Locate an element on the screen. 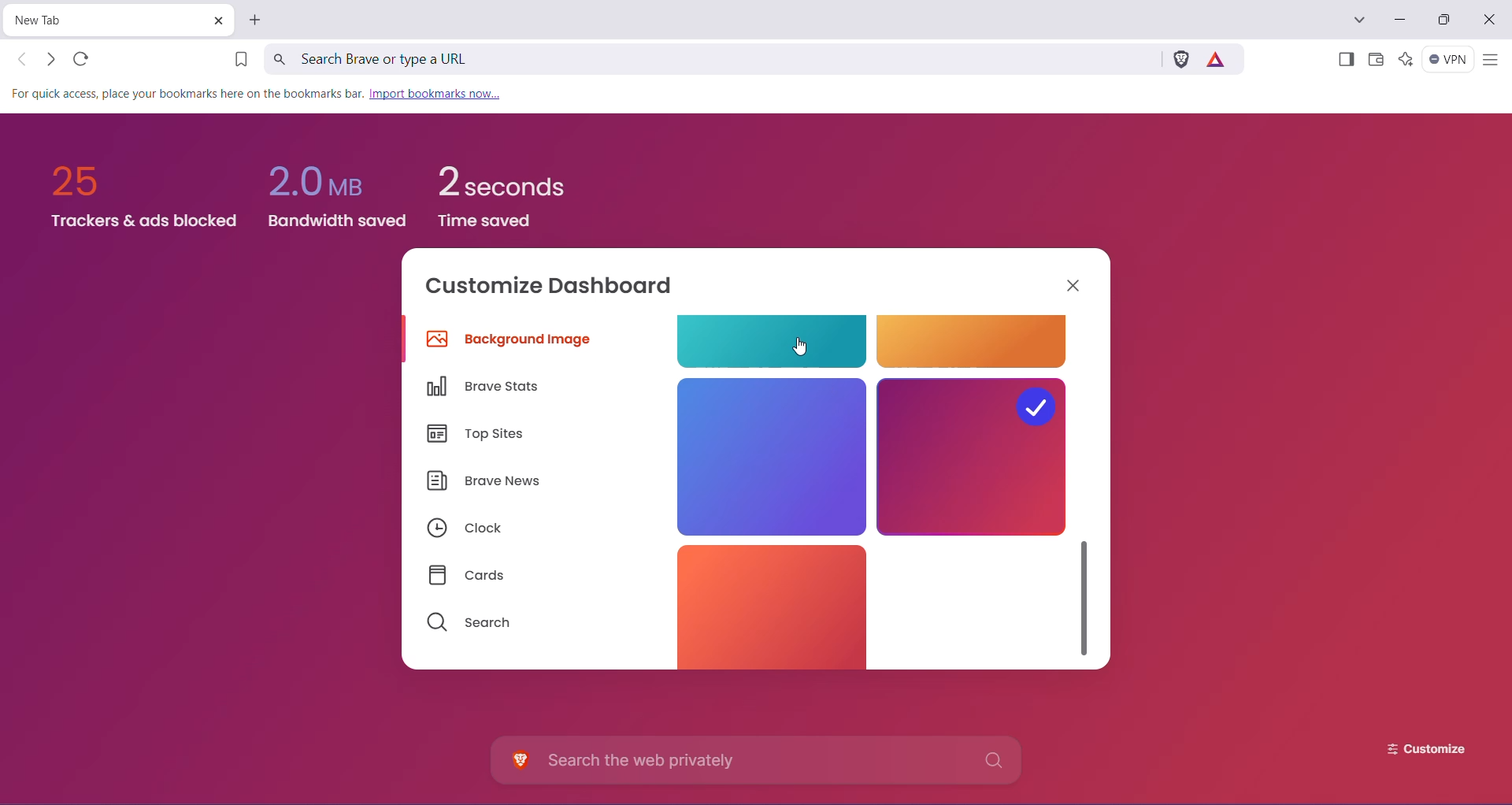 Image resolution: width=1512 pixels, height=805 pixels. Customize and control Brave is located at coordinates (1490, 61).